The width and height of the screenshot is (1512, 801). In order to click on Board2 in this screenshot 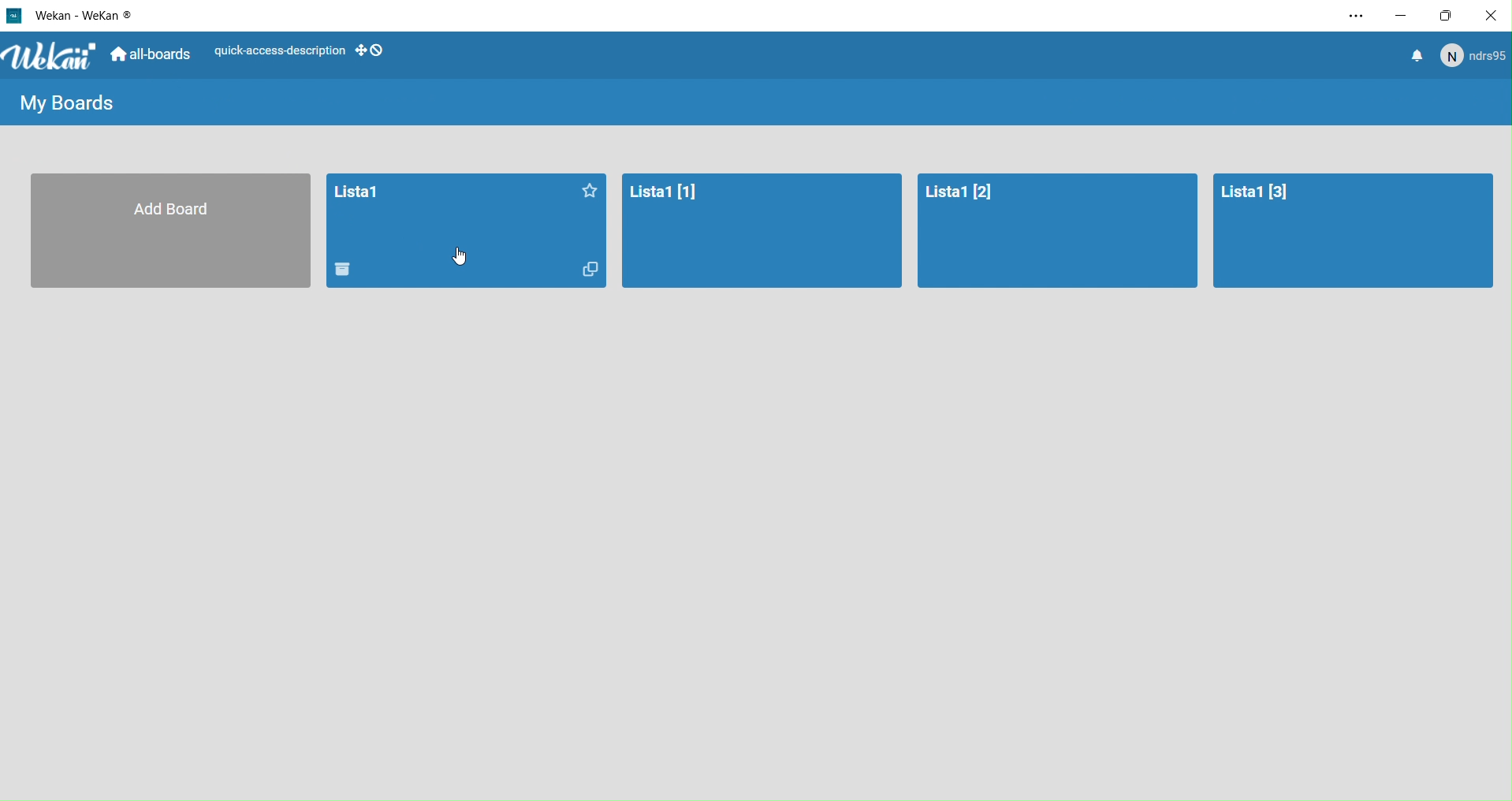, I will do `click(763, 229)`.